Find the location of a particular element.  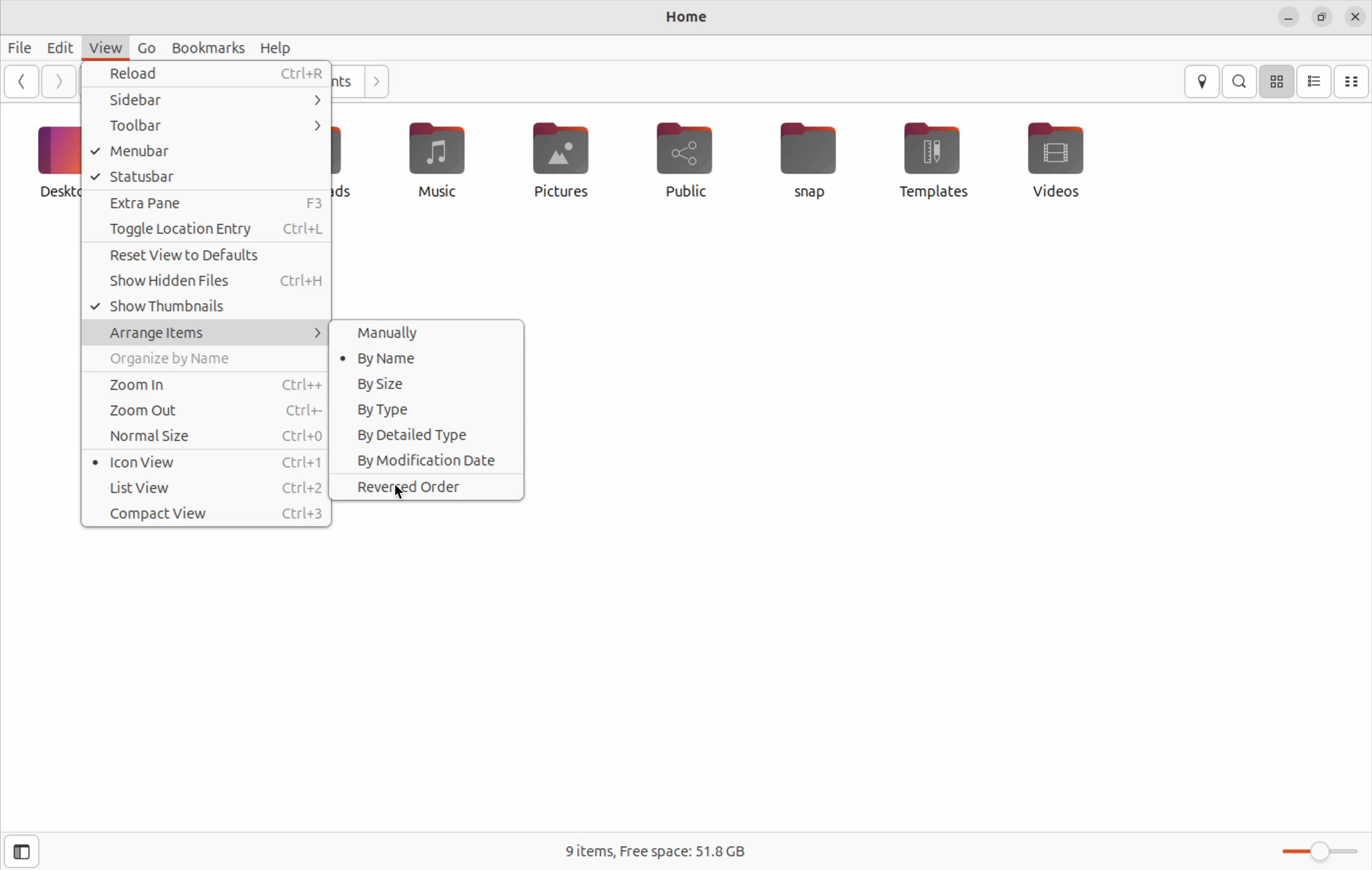

by size is located at coordinates (429, 382).